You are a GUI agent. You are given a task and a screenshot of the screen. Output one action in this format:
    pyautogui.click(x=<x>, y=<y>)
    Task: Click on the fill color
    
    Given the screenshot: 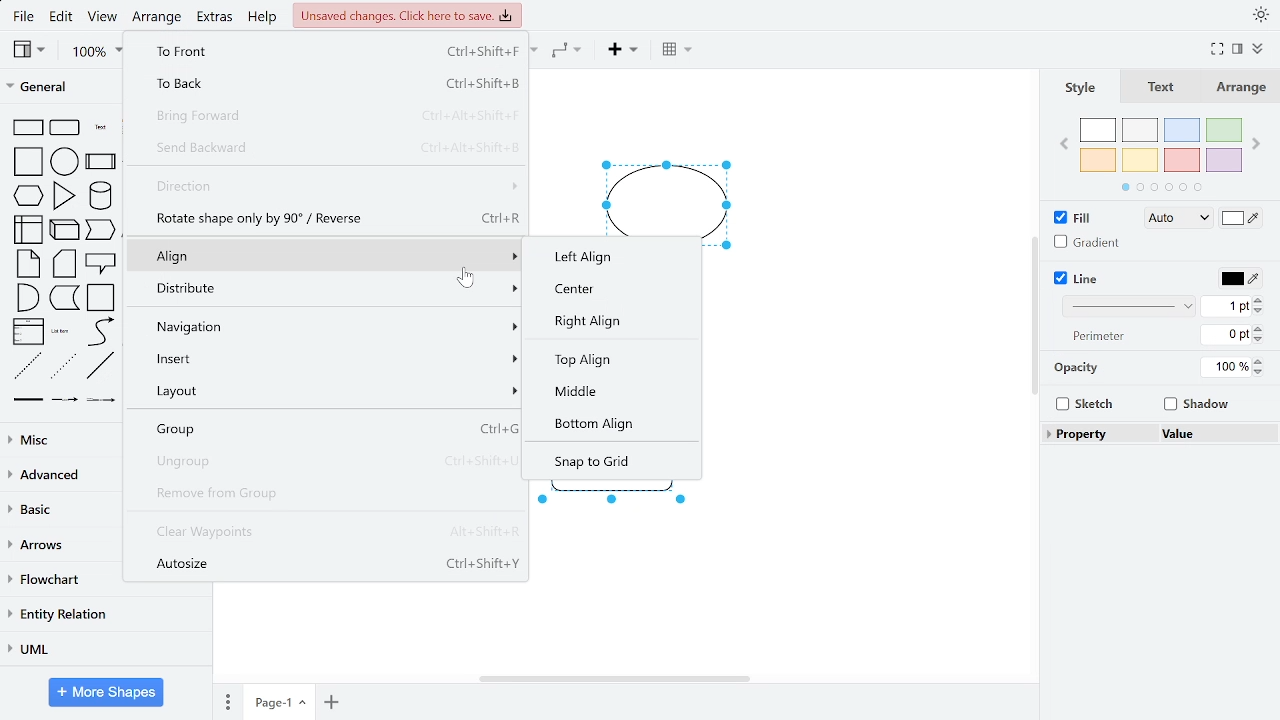 What is the action you would take?
    pyautogui.click(x=1242, y=217)
    